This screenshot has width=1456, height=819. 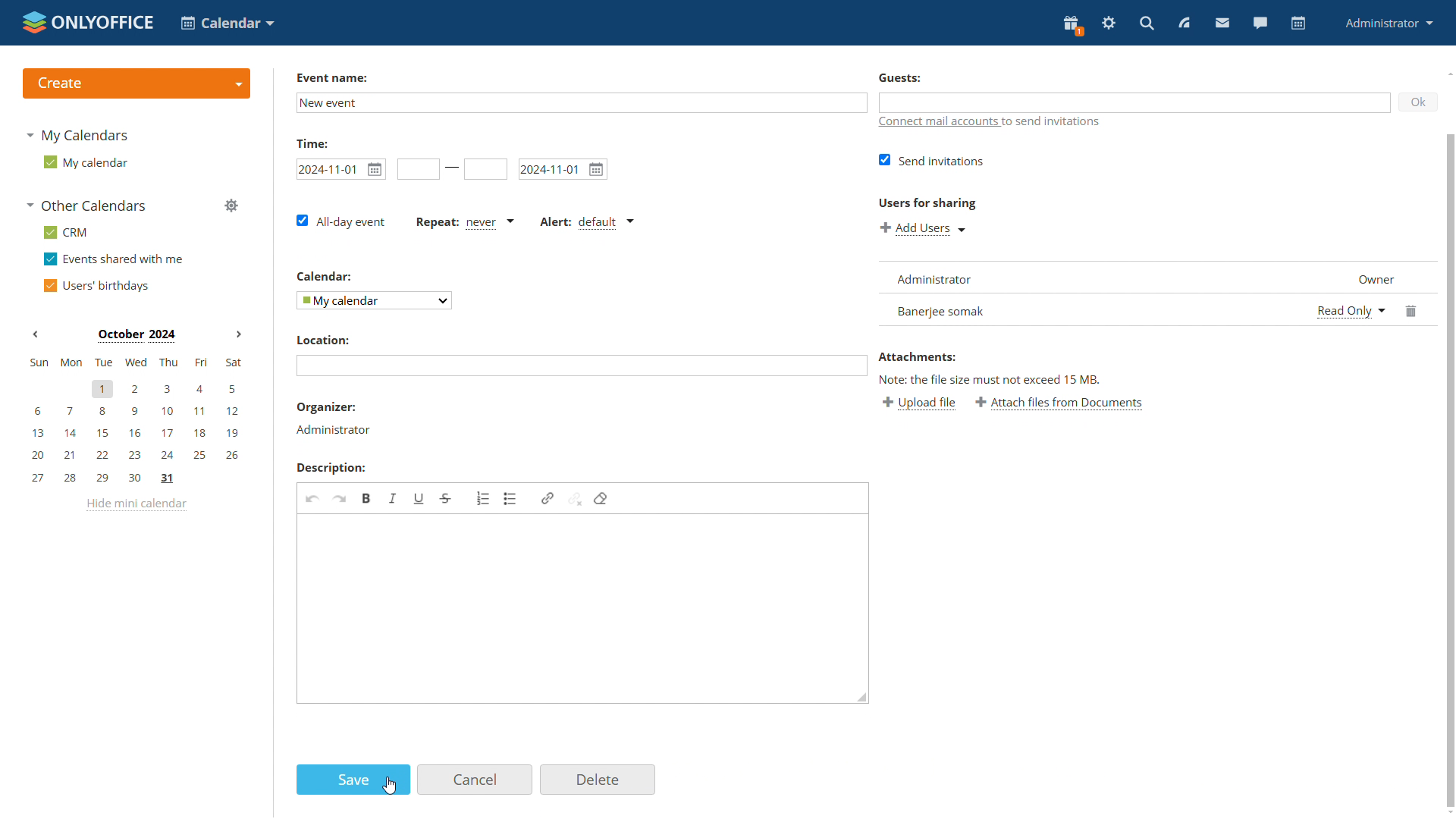 I want to click on my calendars, so click(x=83, y=137).